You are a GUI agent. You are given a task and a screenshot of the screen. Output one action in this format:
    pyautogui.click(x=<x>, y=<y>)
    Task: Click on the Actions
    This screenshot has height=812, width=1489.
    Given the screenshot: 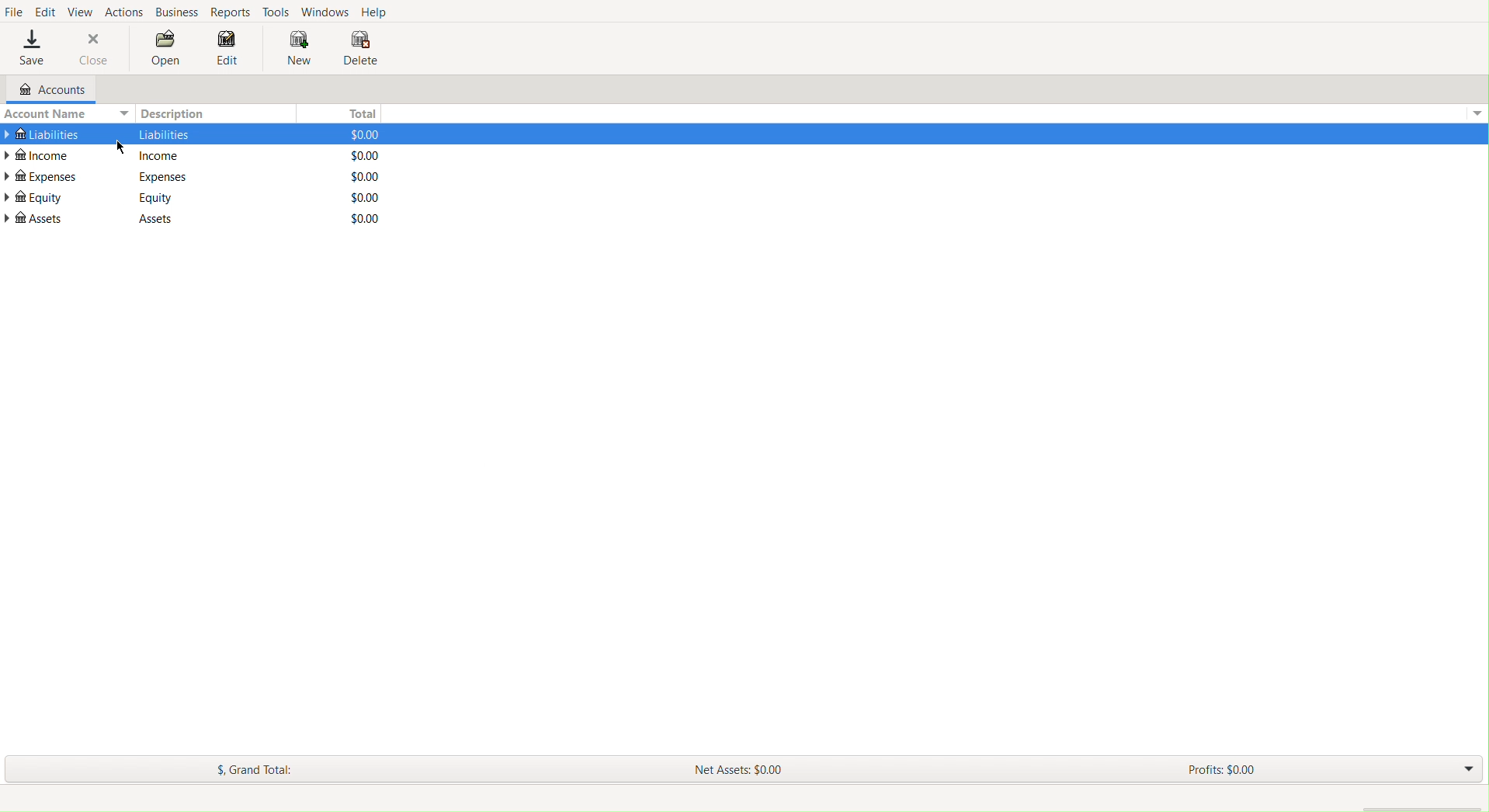 What is the action you would take?
    pyautogui.click(x=124, y=10)
    